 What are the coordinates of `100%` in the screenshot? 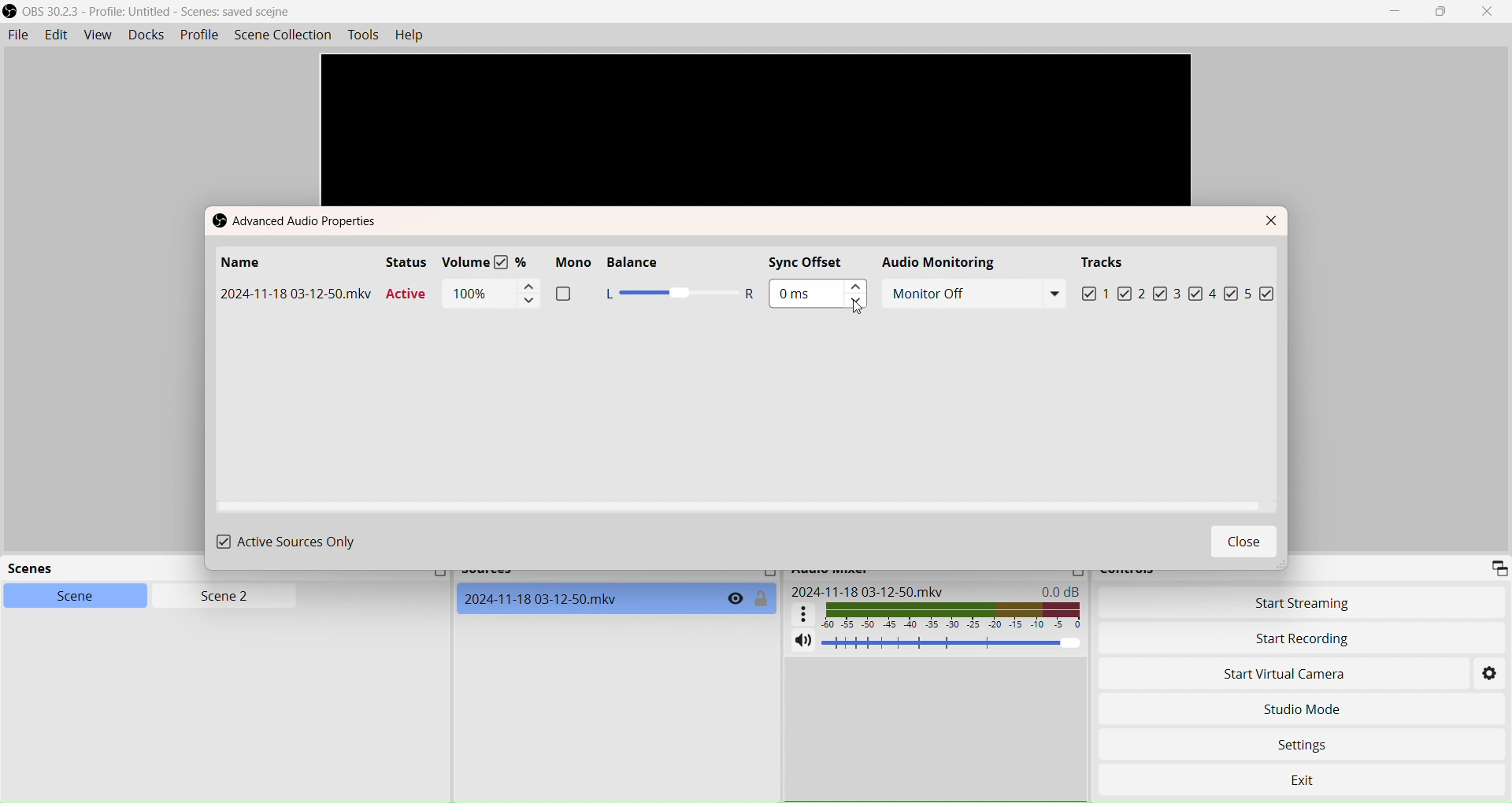 It's located at (472, 294).